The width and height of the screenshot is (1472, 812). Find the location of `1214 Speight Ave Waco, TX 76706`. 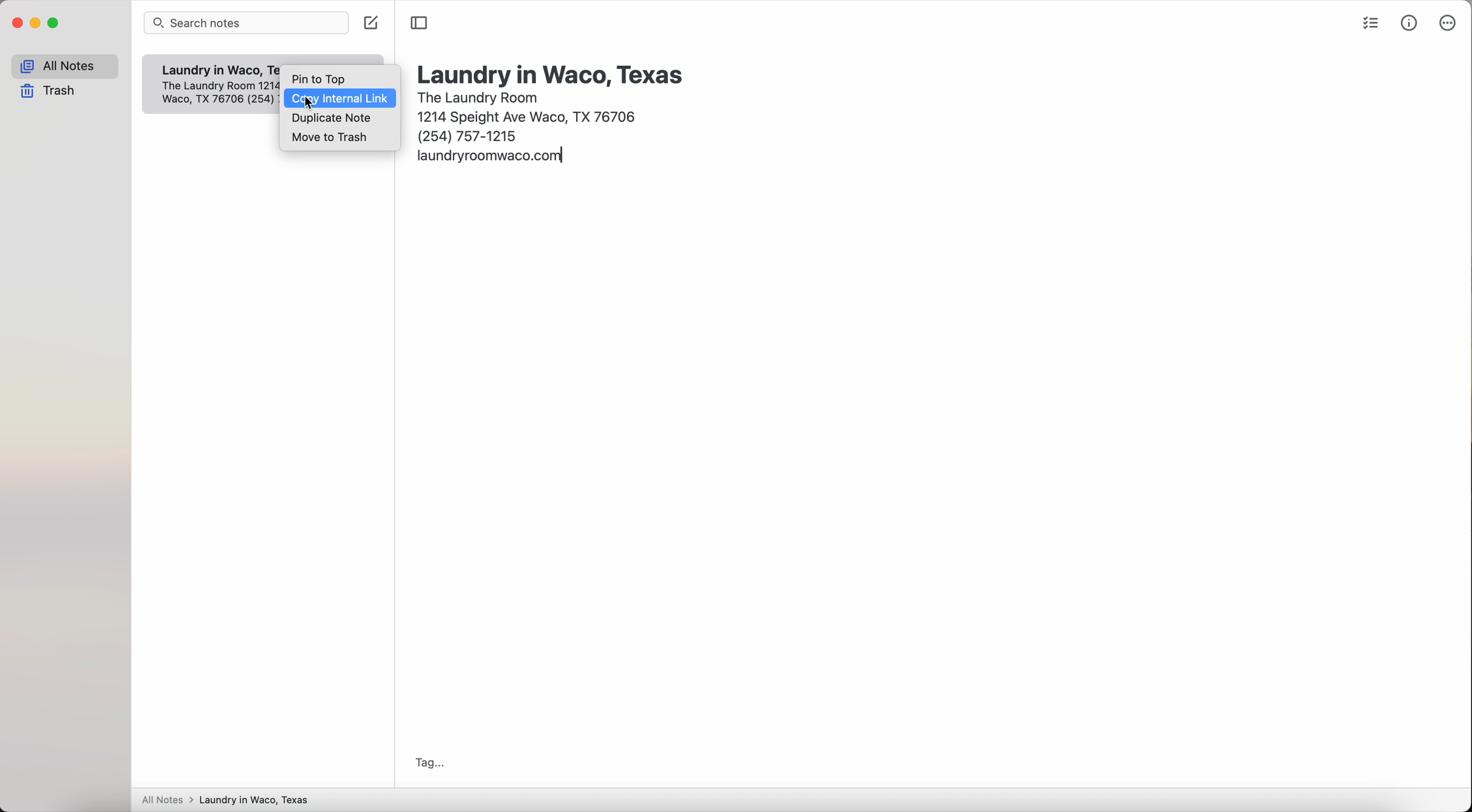

1214 Speight Ave Waco, TX 76706 is located at coordinates (219, 94).